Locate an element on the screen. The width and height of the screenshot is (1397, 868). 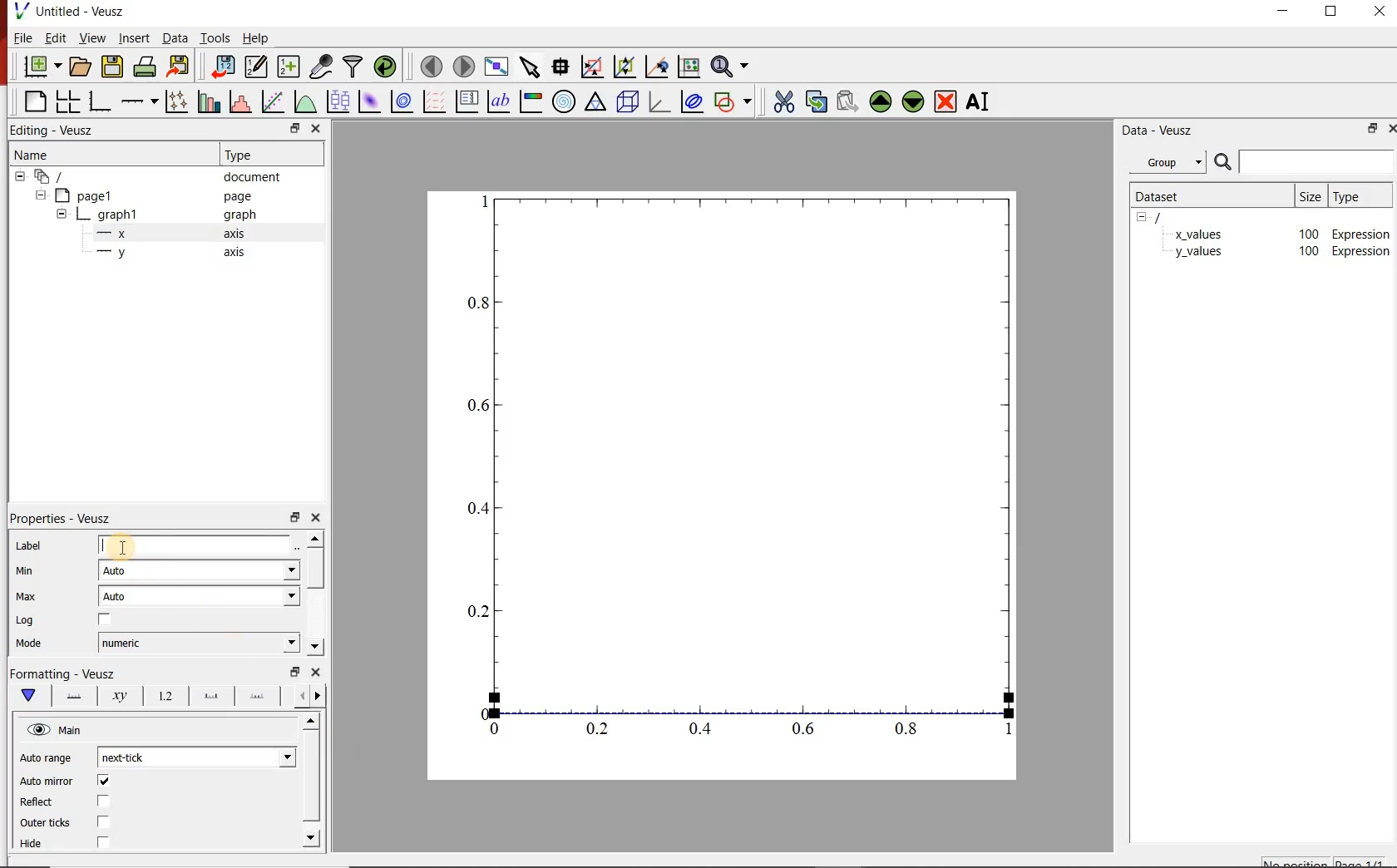
move down is located at coordinates (311, 840).